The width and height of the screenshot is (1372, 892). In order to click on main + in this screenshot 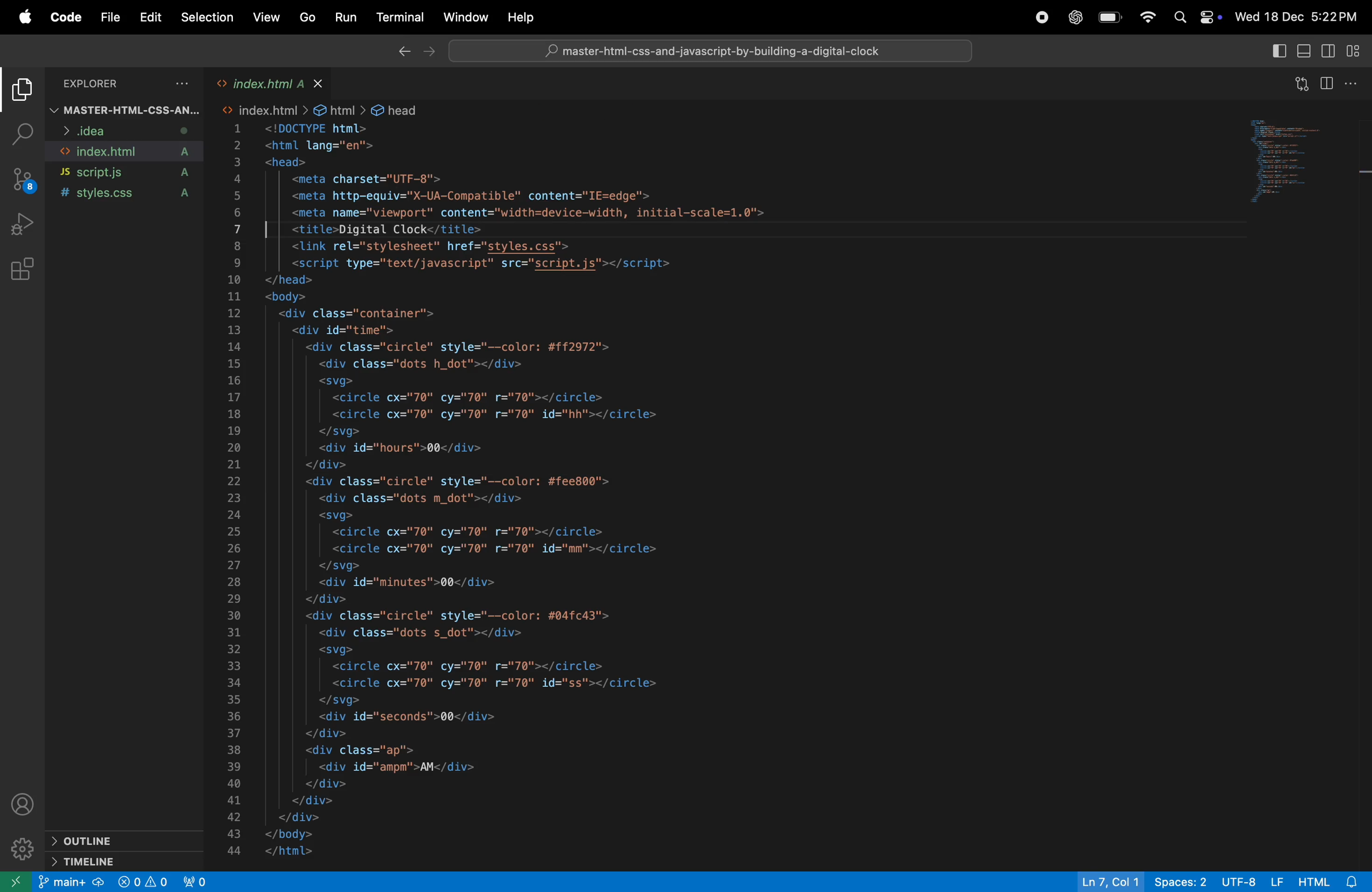, I will do `click(71, 882)`.